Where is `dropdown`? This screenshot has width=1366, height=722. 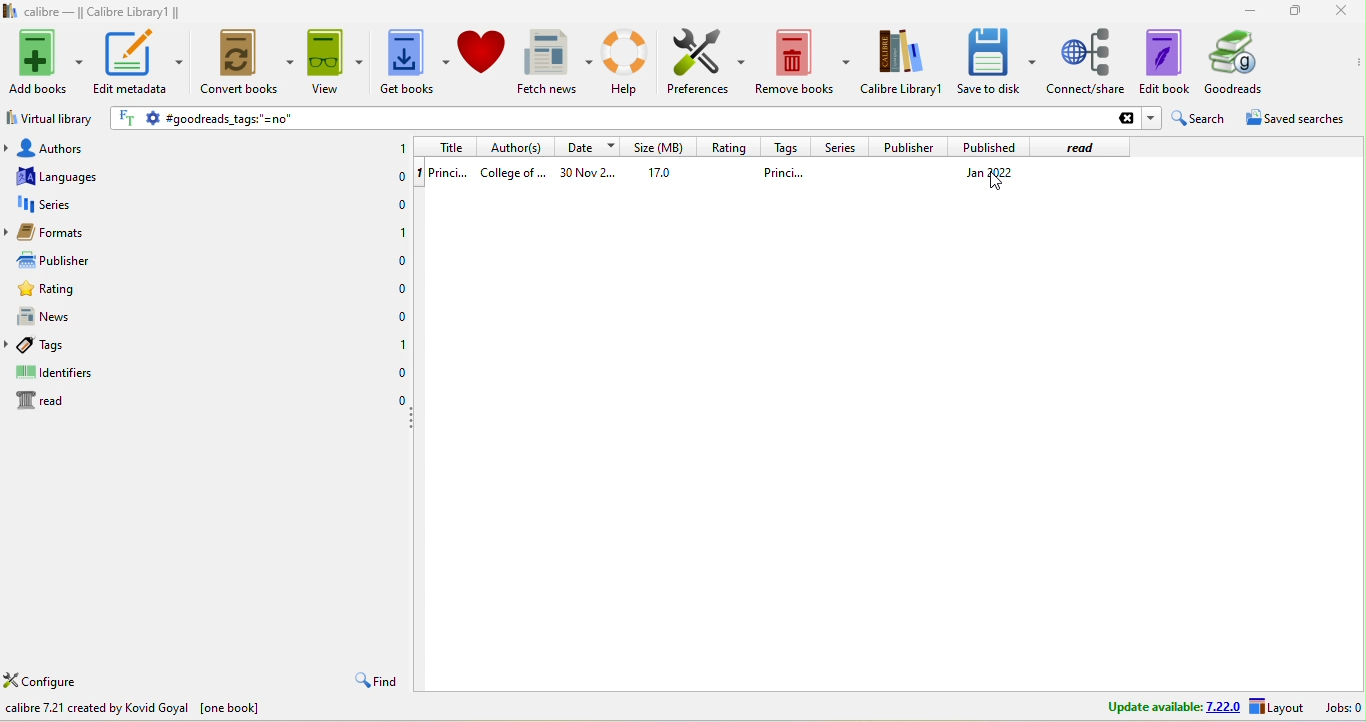 dropdown is located at coordinates (1151, 118).